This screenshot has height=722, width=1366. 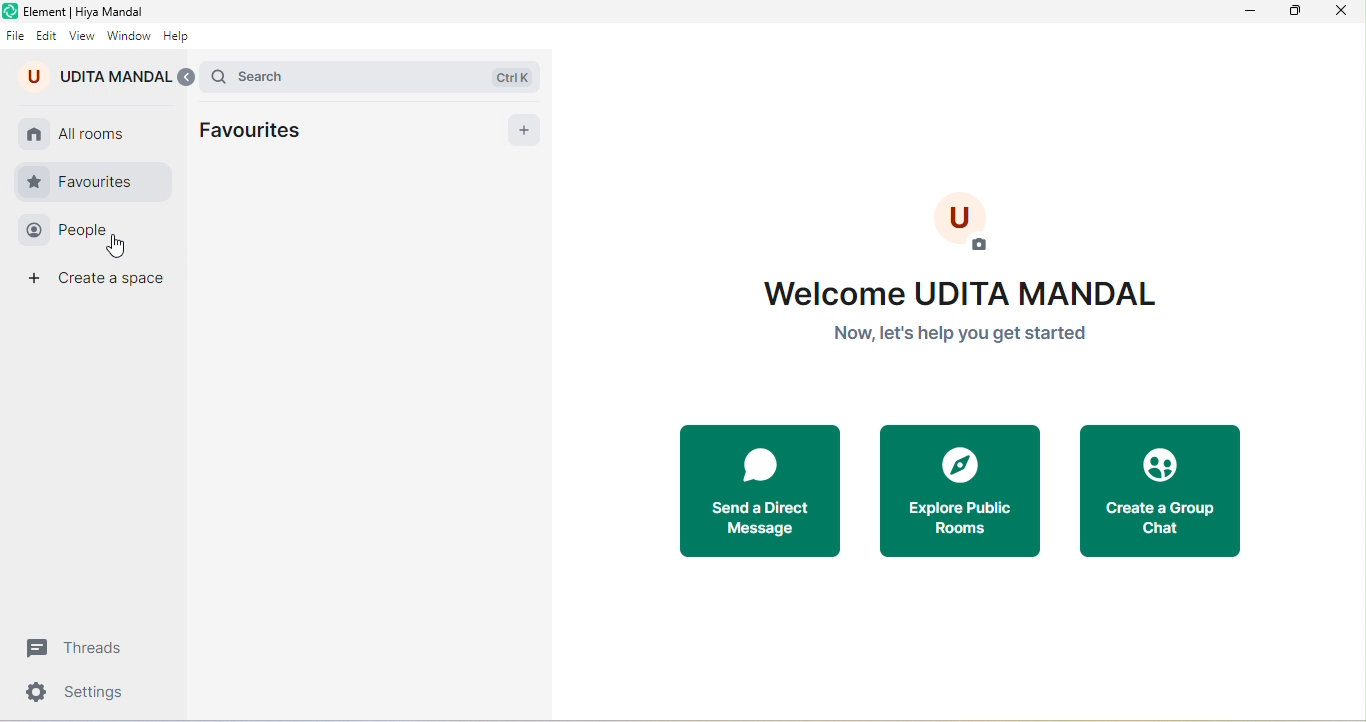 I want to click on threads, so click(x=85, y=647).